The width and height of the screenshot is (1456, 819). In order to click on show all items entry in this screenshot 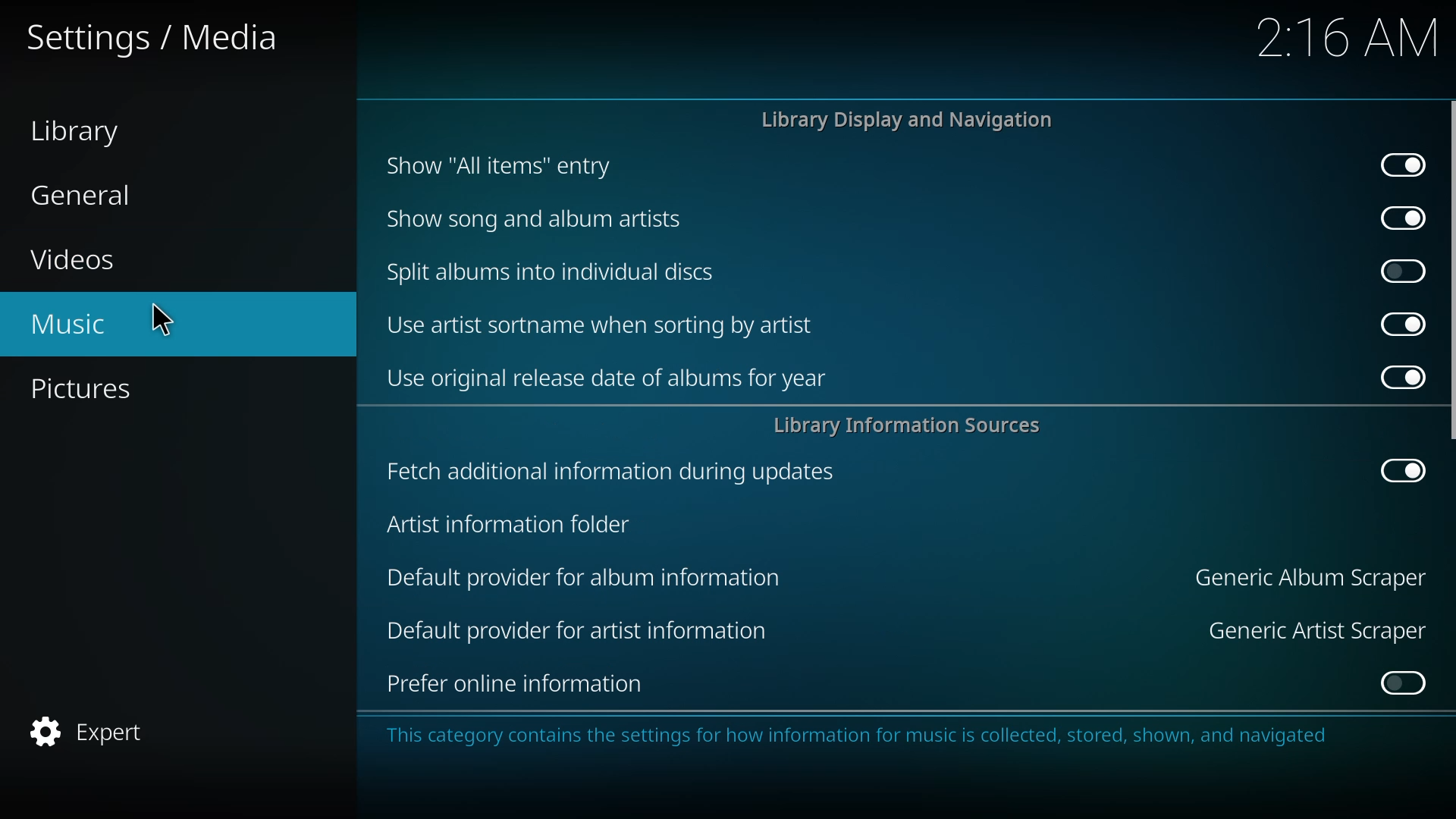, I will do `click(502, 165)`.